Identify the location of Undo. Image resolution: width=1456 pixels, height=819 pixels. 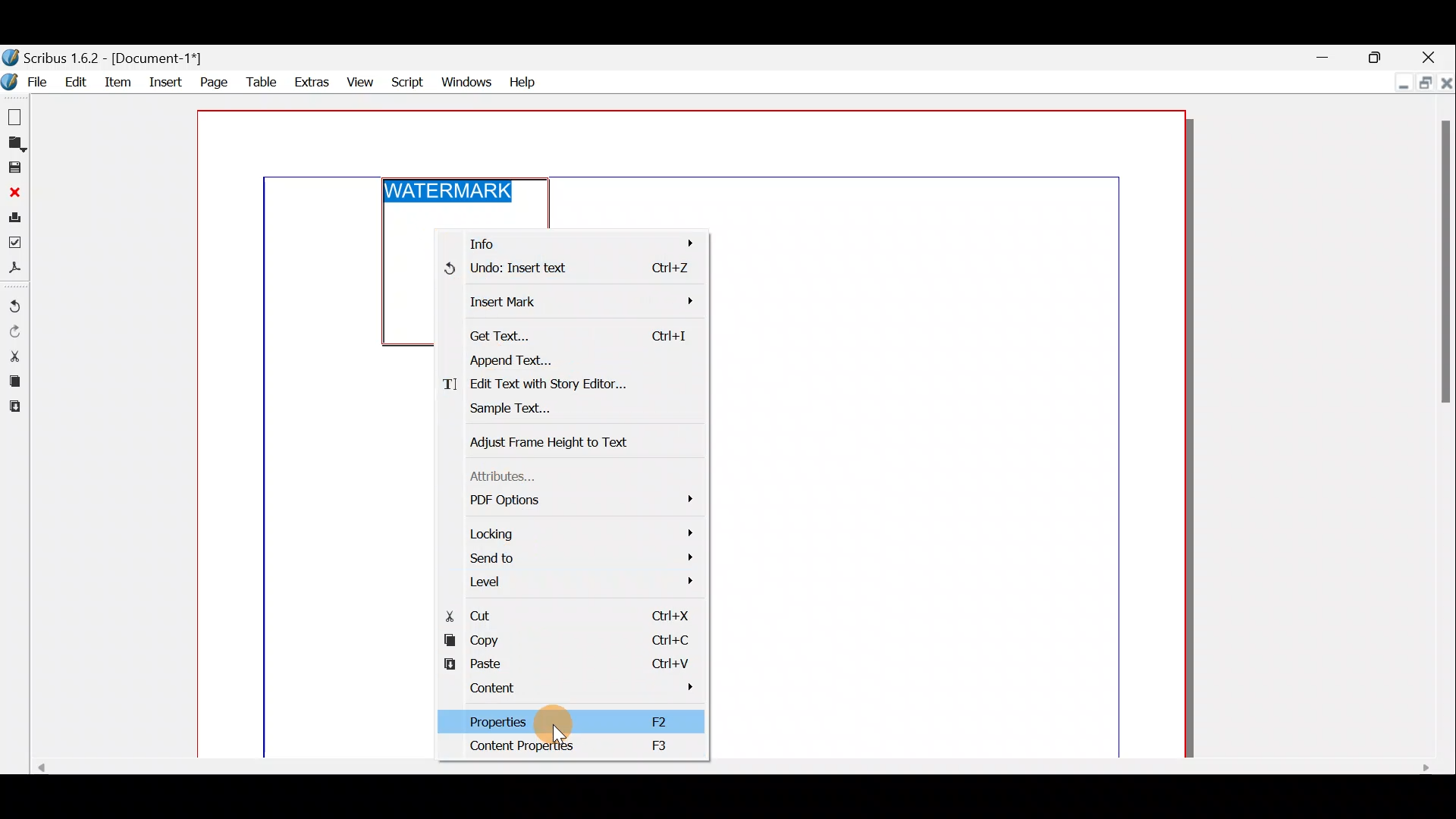
(14, 307).